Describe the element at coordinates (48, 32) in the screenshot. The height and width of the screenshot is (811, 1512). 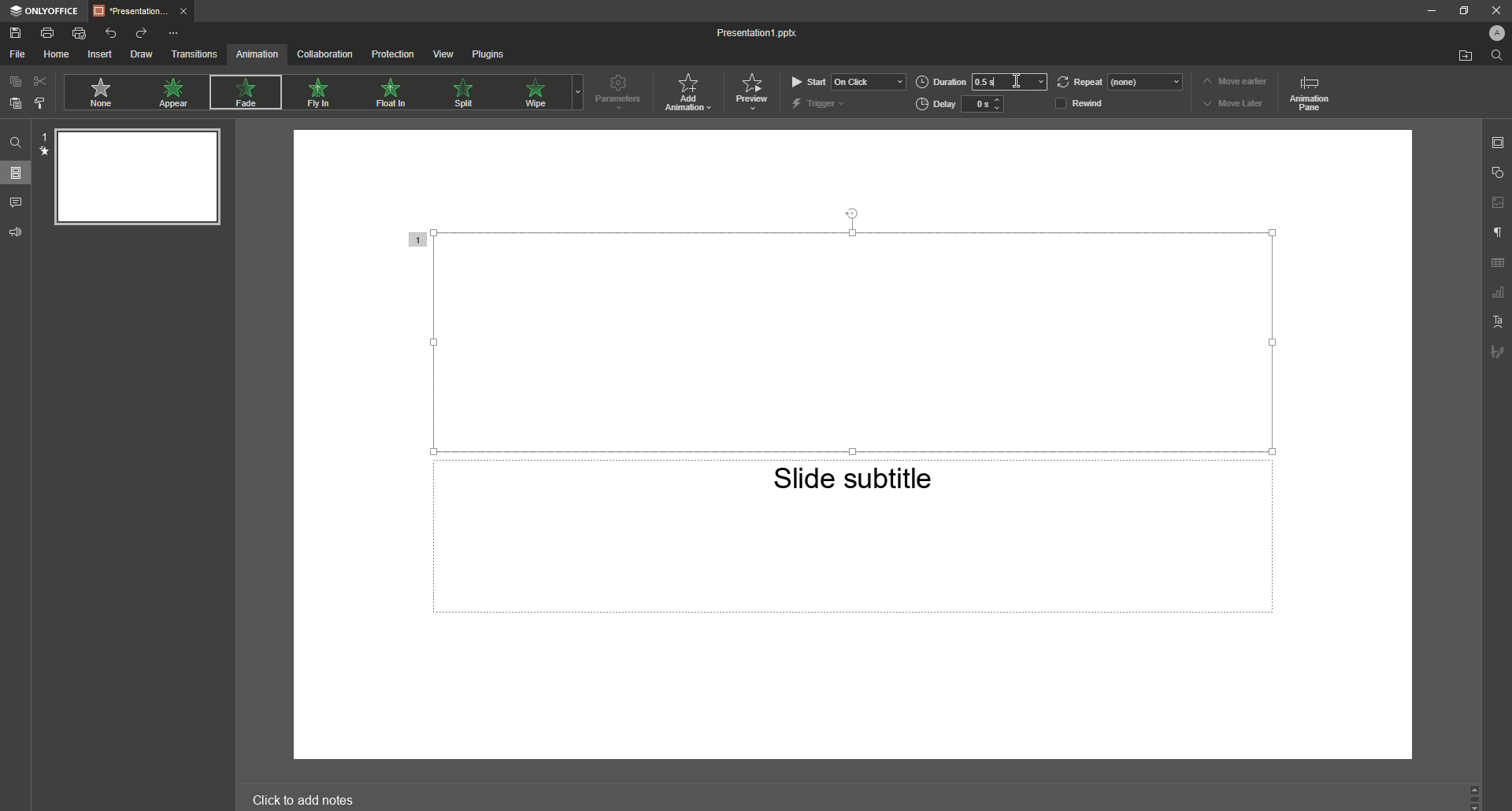
I see `Print` at that location.